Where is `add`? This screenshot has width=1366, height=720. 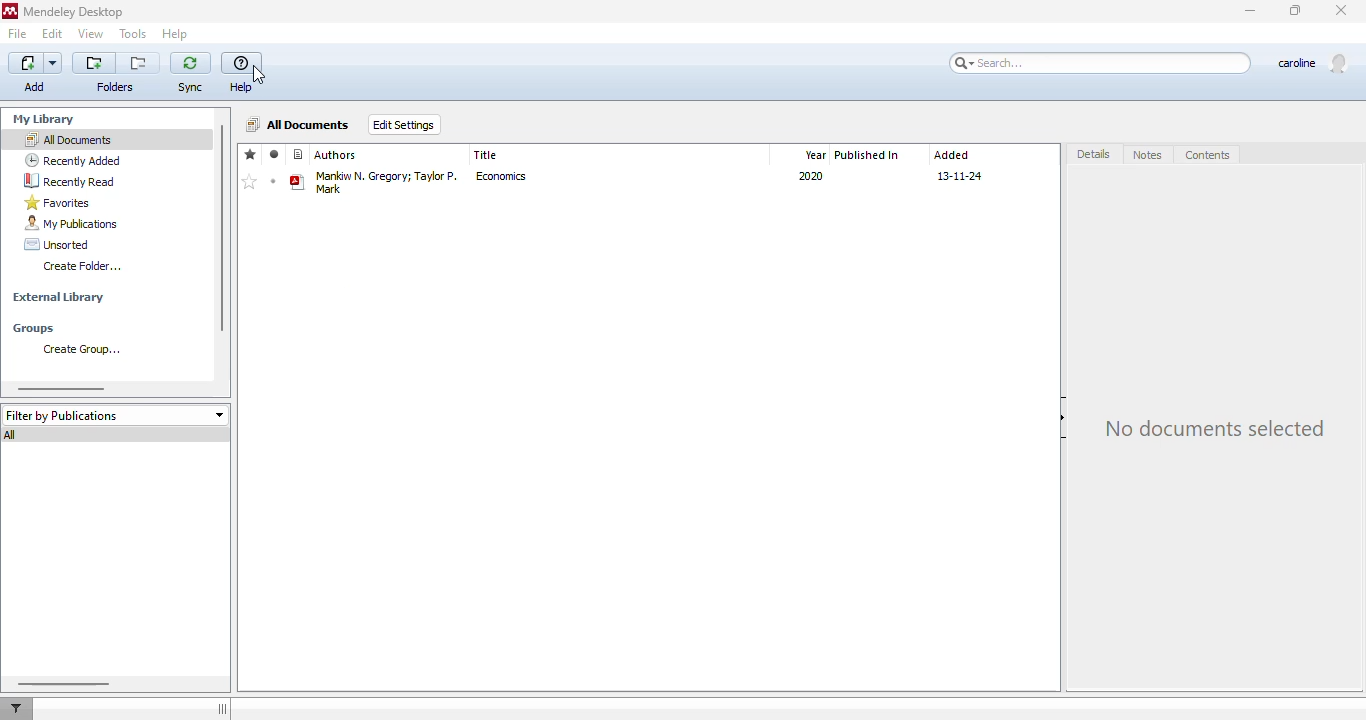
add is located at coordinates (37, 72).